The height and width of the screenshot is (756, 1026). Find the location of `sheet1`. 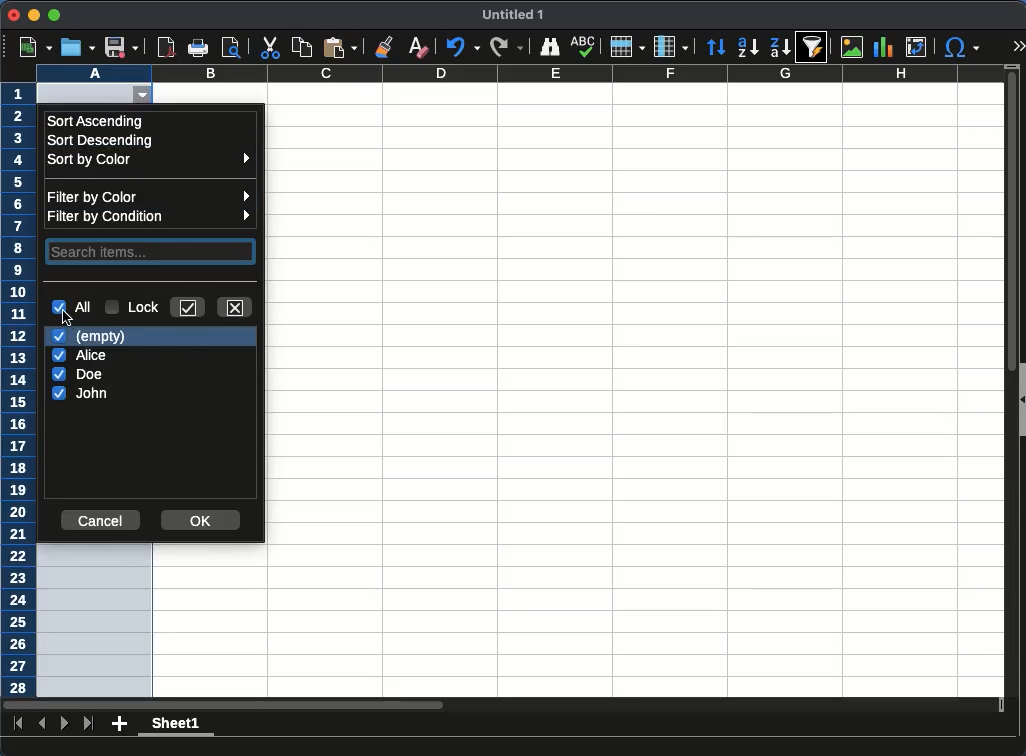

sheet1 is located at coordinates (174, 726).